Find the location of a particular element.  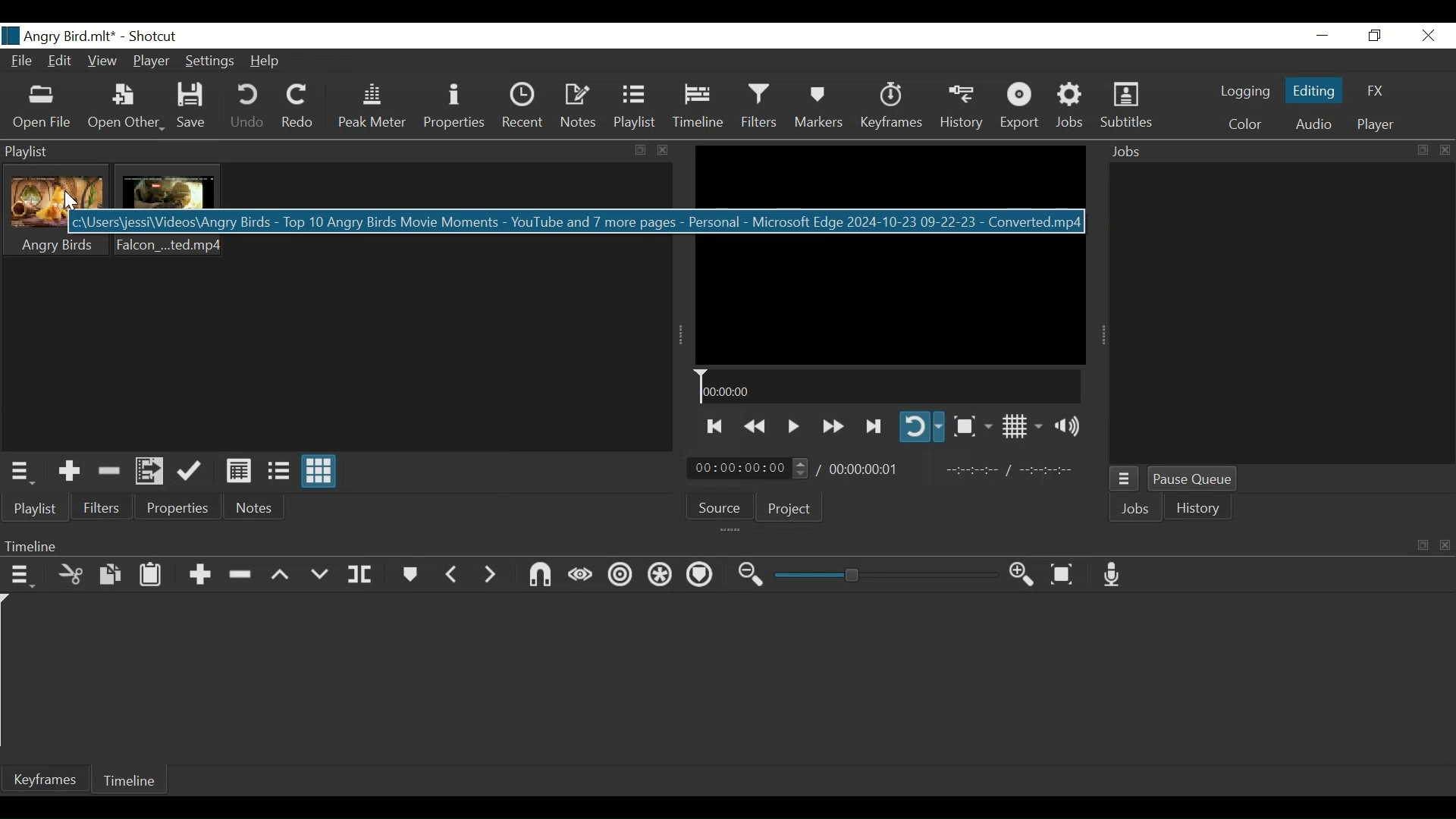

Snap is located at coordinates (538, 576).